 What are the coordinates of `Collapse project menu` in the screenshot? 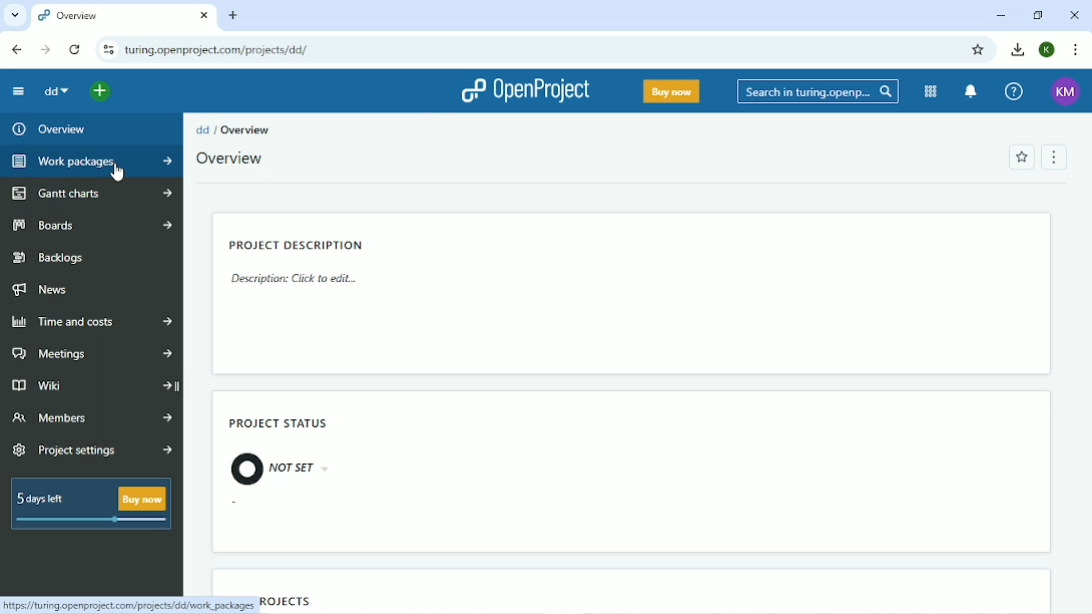 It's located at (19, 92).